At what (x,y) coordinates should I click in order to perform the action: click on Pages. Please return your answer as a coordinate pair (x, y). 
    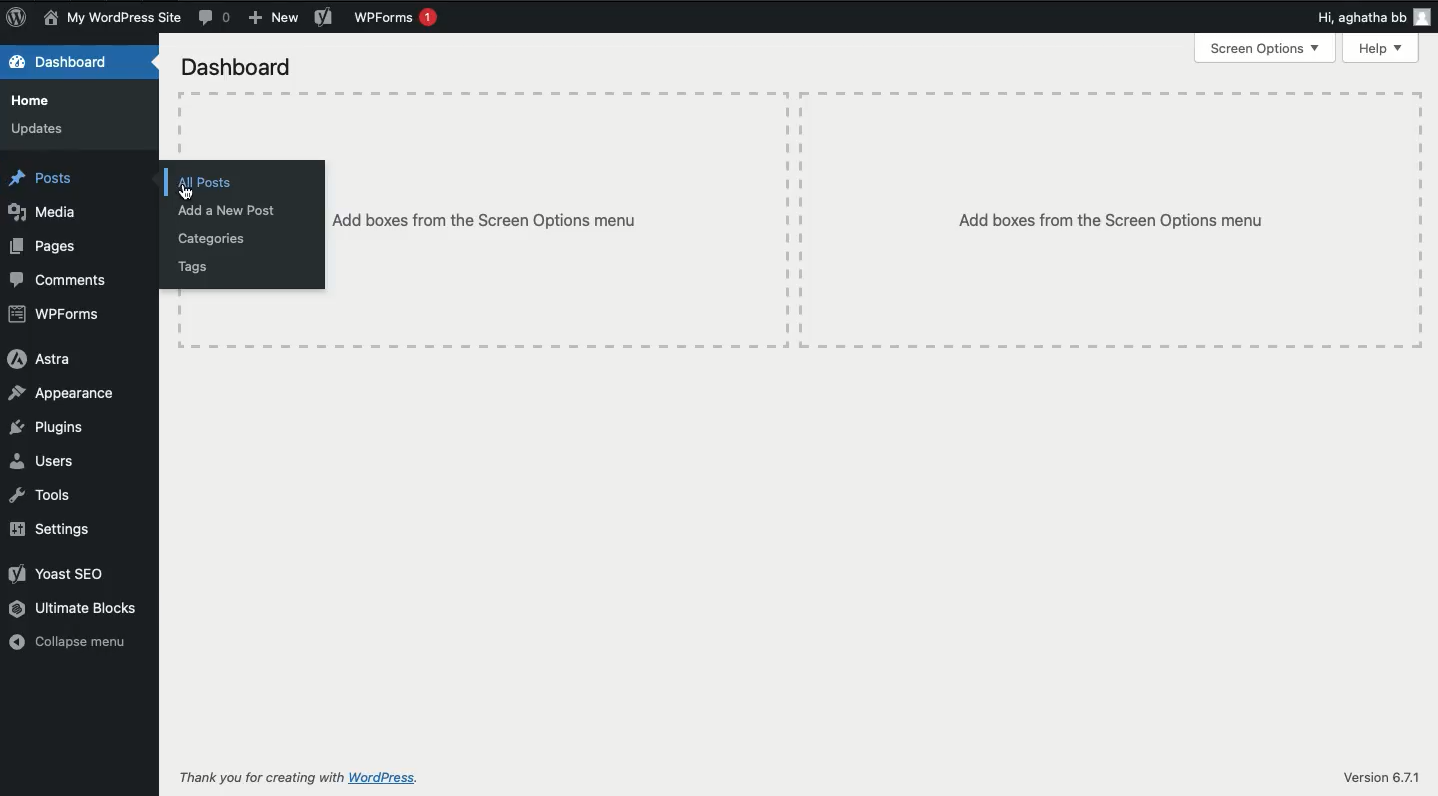
    Looking at the image, I should click on (48, 248).